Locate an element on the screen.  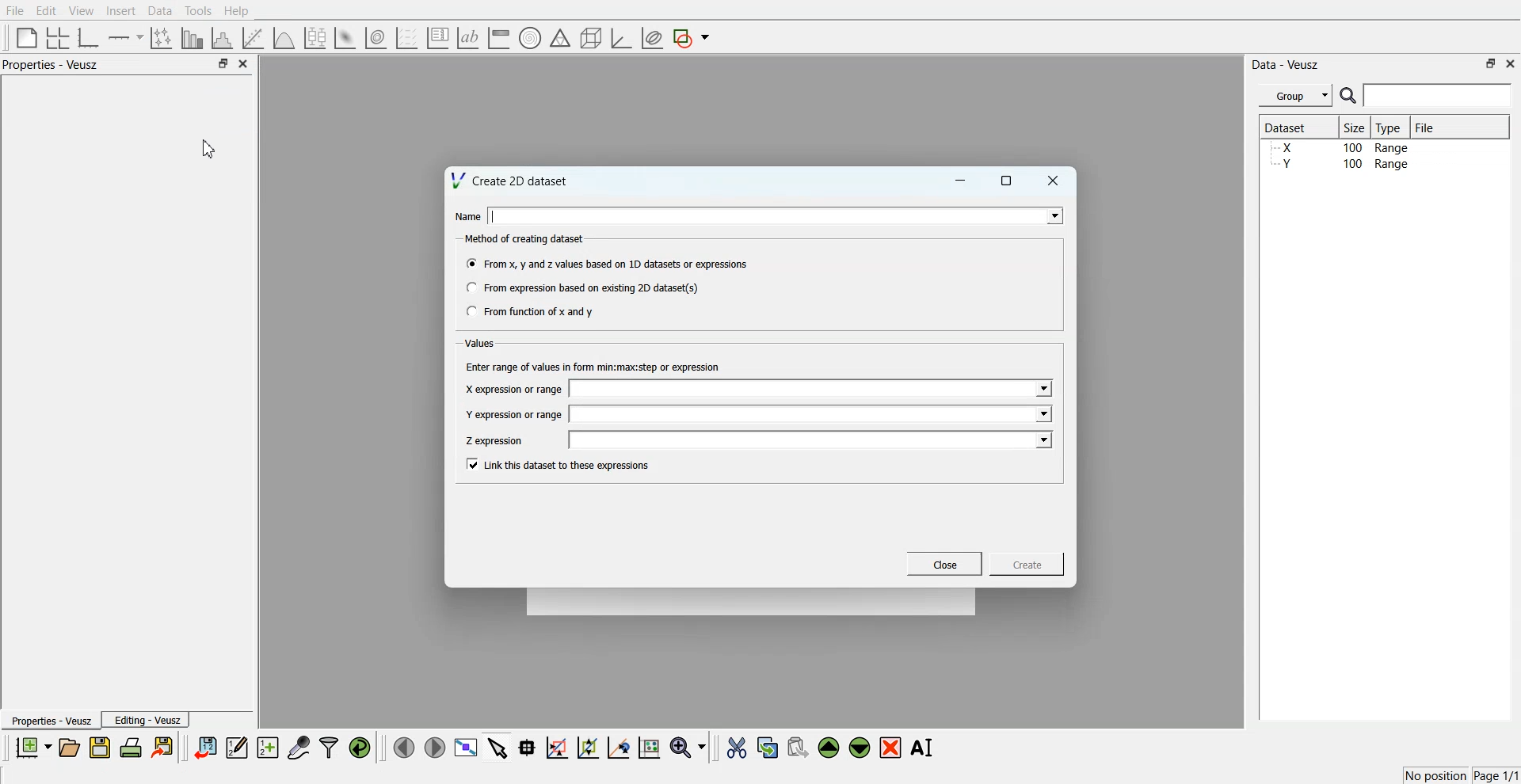
From function of x and y is located at coordinates (532, 310).